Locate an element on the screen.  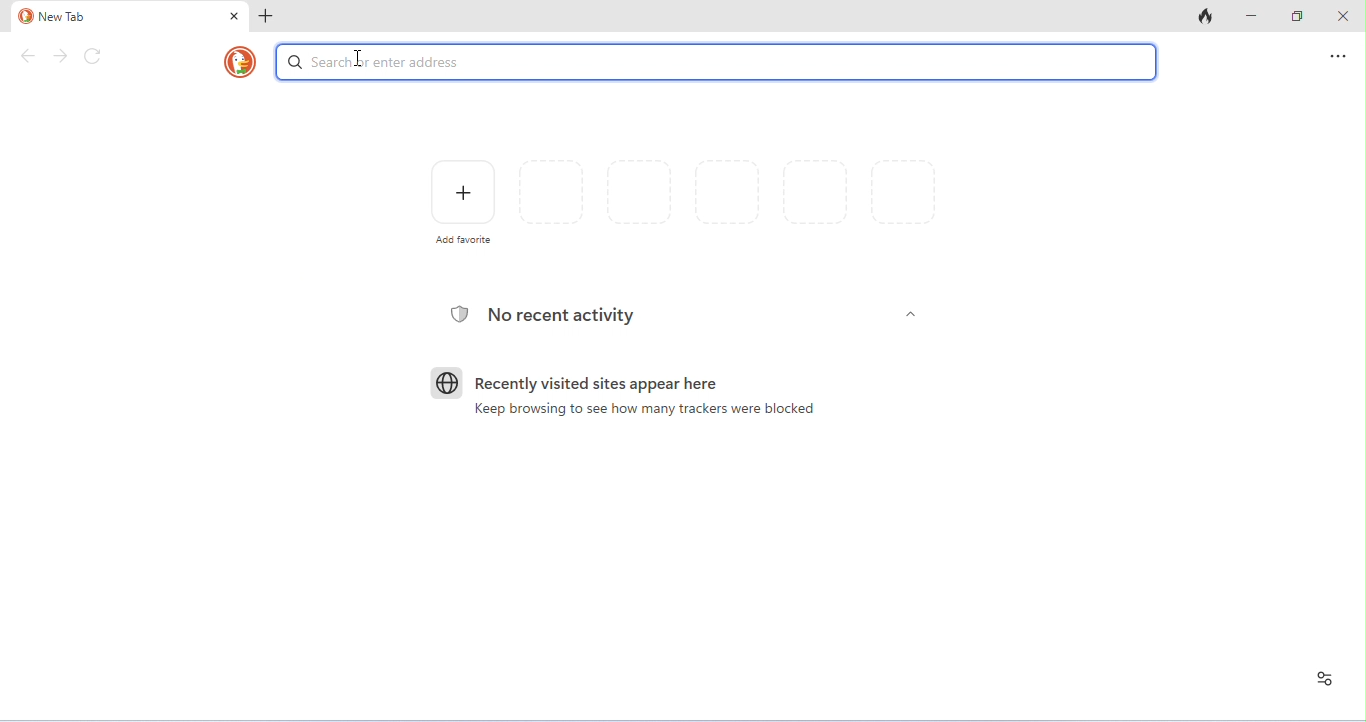
refresh is located at coordinates (94, 56).